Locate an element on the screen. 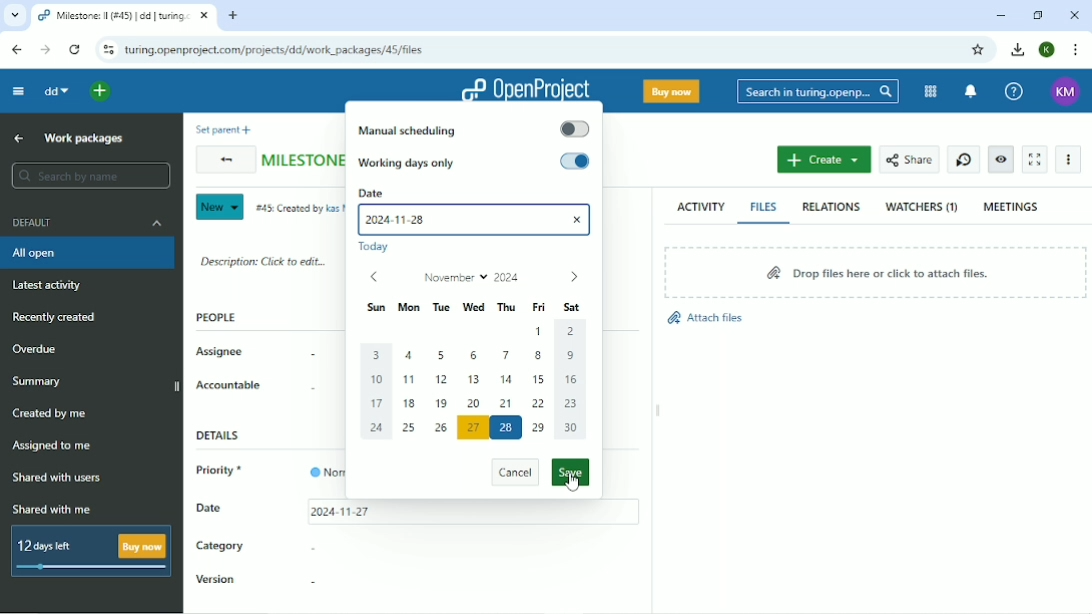 The height and width of the screenshot is (614, 1092). Back is located at coordinates (16, 50).